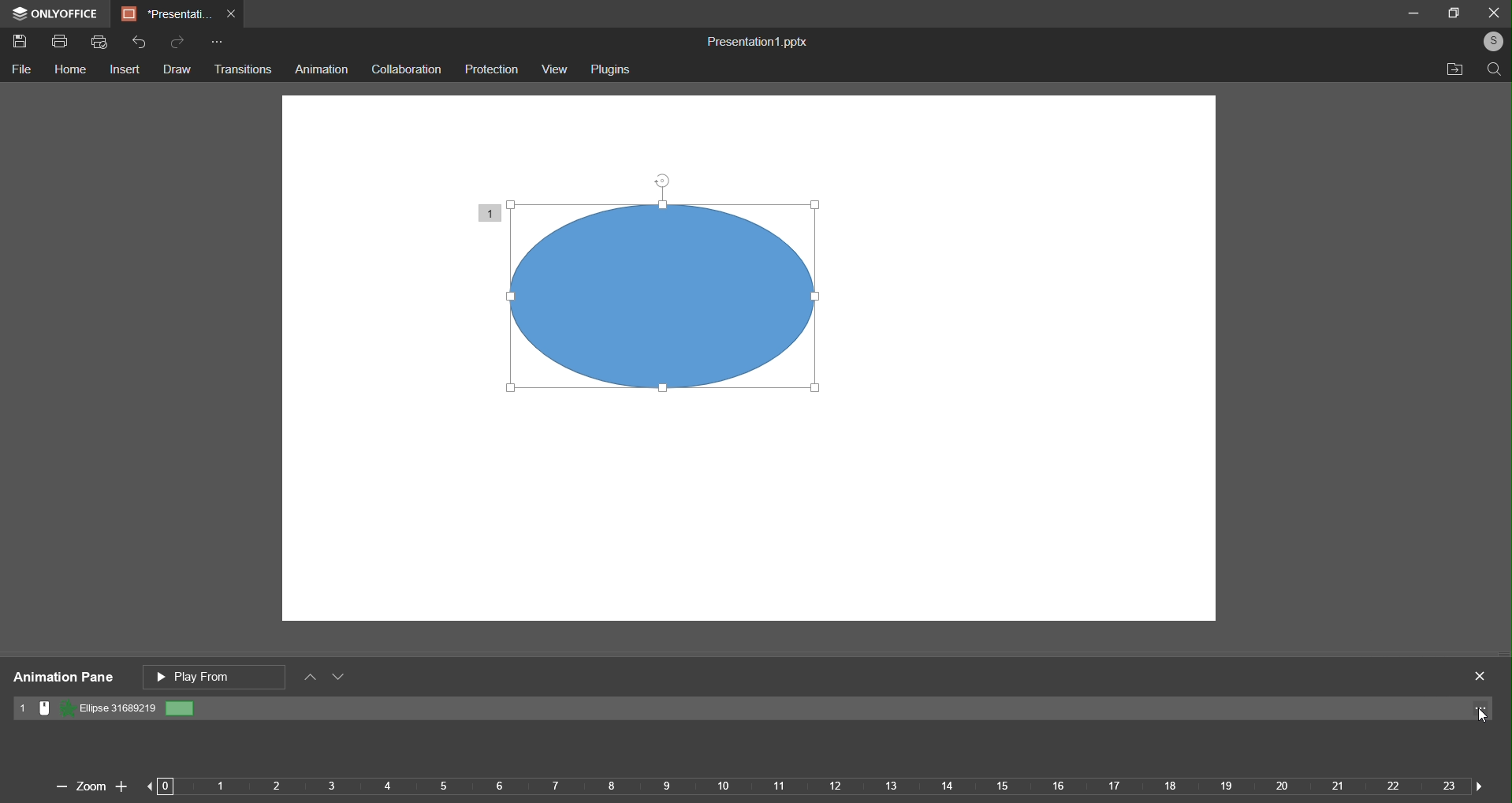 The width and height of the screenshot is (1512, 803). I want to click on number of animation, so click(490, 211).